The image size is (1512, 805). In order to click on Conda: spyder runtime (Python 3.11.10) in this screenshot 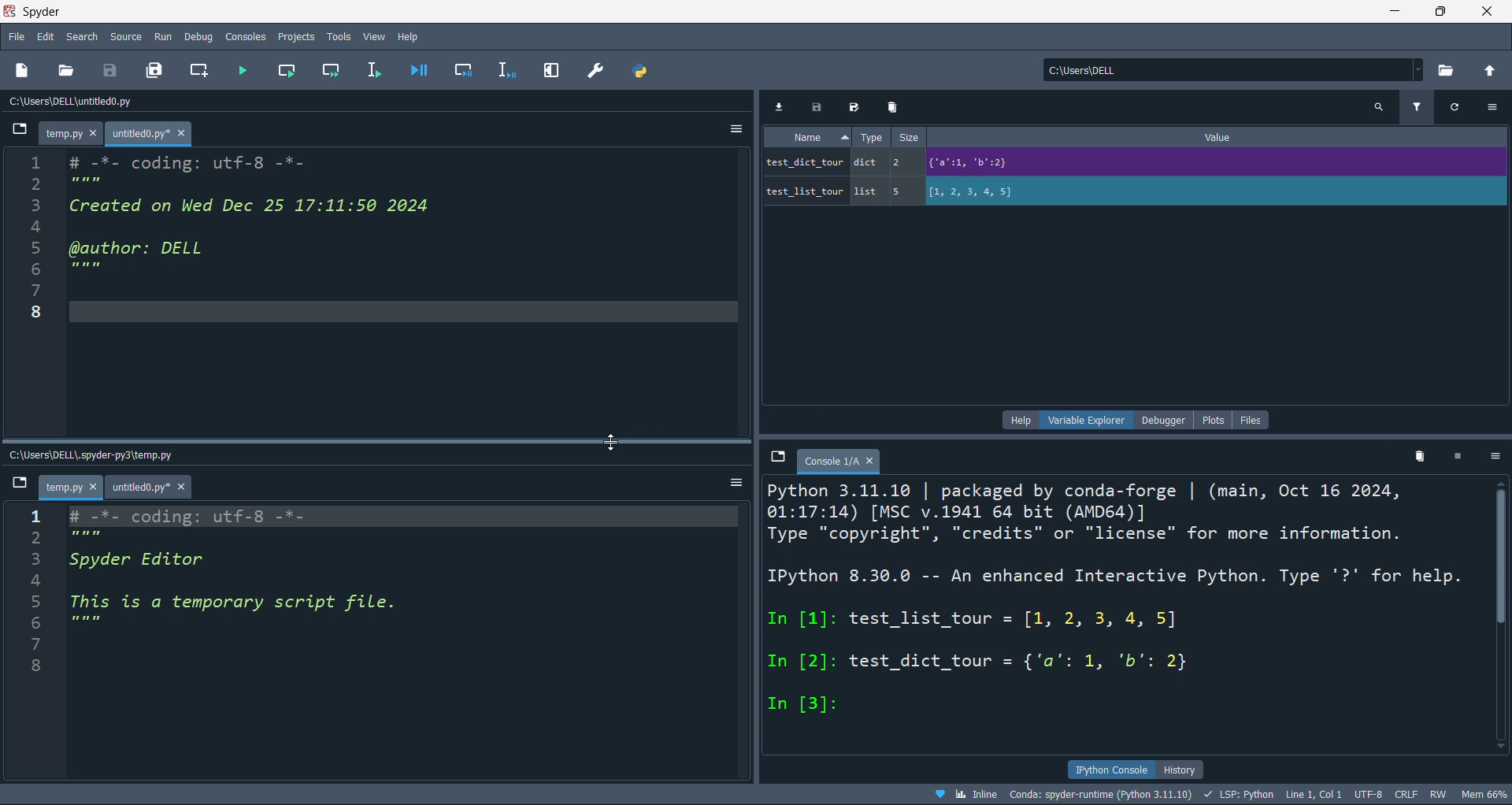, I will do `click(1108, 794)`.